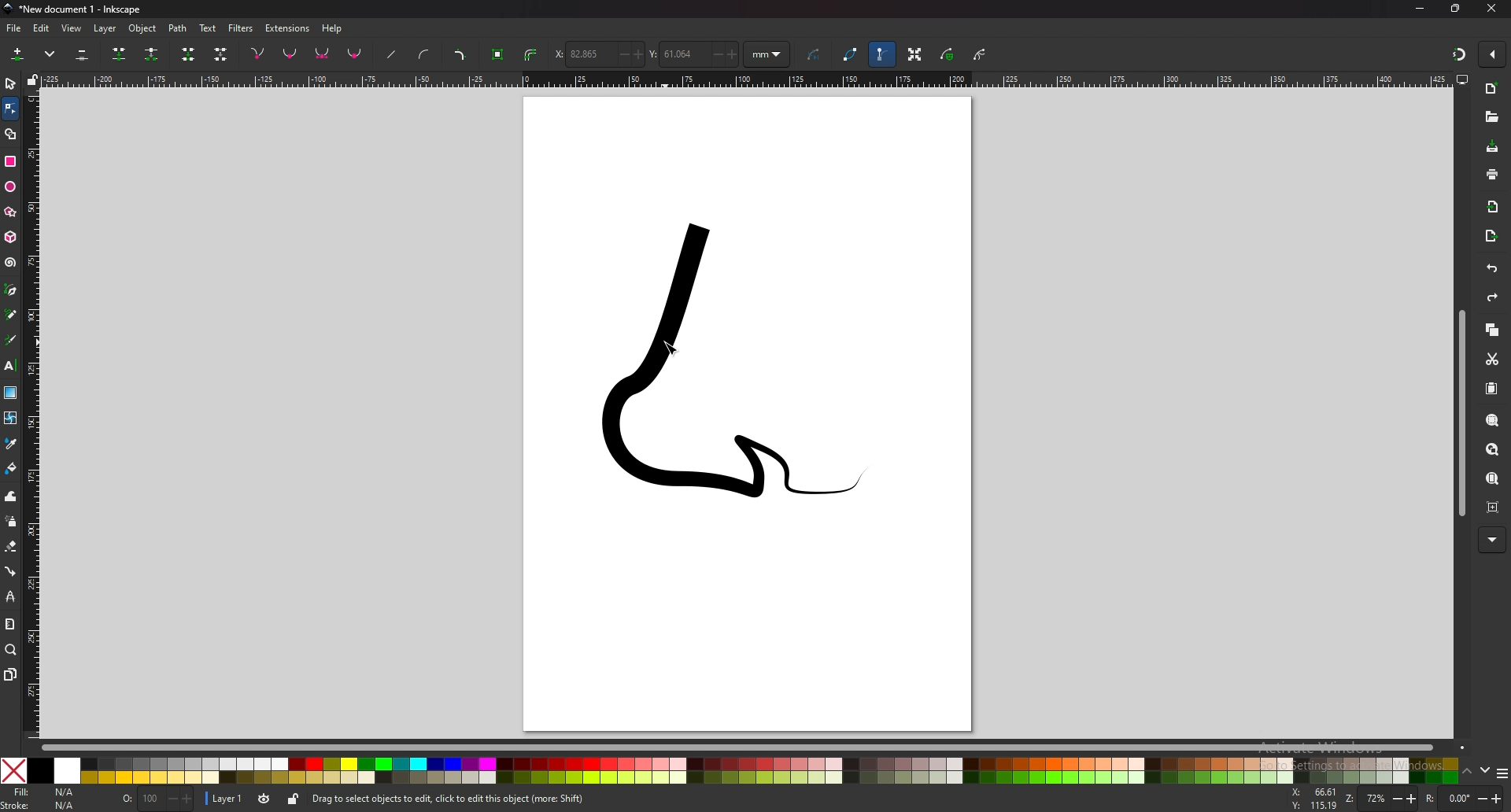 The image size is (1511, 812). I want to click on rotation, so click(1465, 798).